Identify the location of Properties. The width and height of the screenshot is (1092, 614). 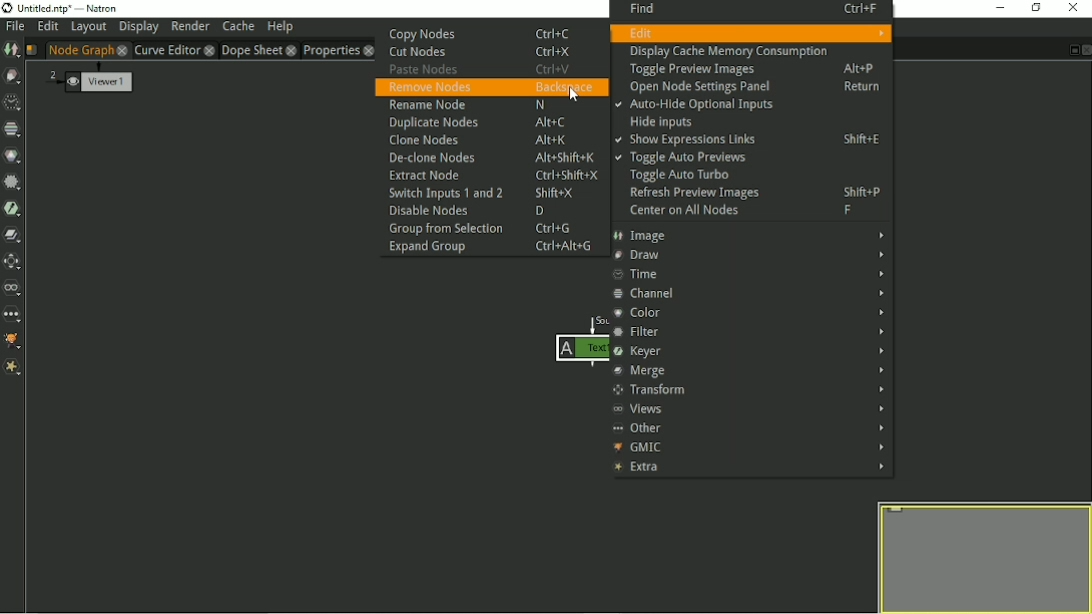
(330, 50).